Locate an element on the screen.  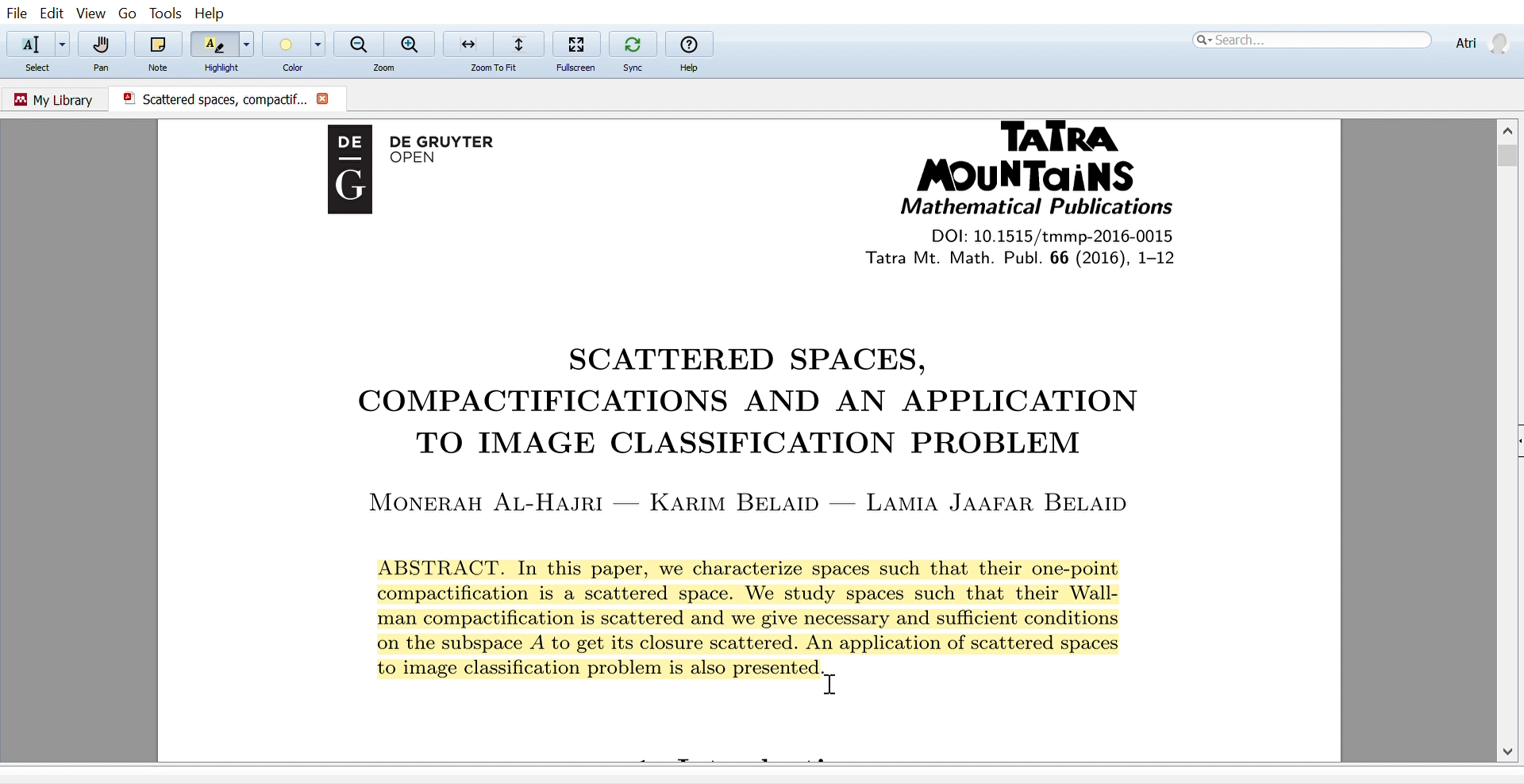
Fullscreen is located at coordinates (572, 68).